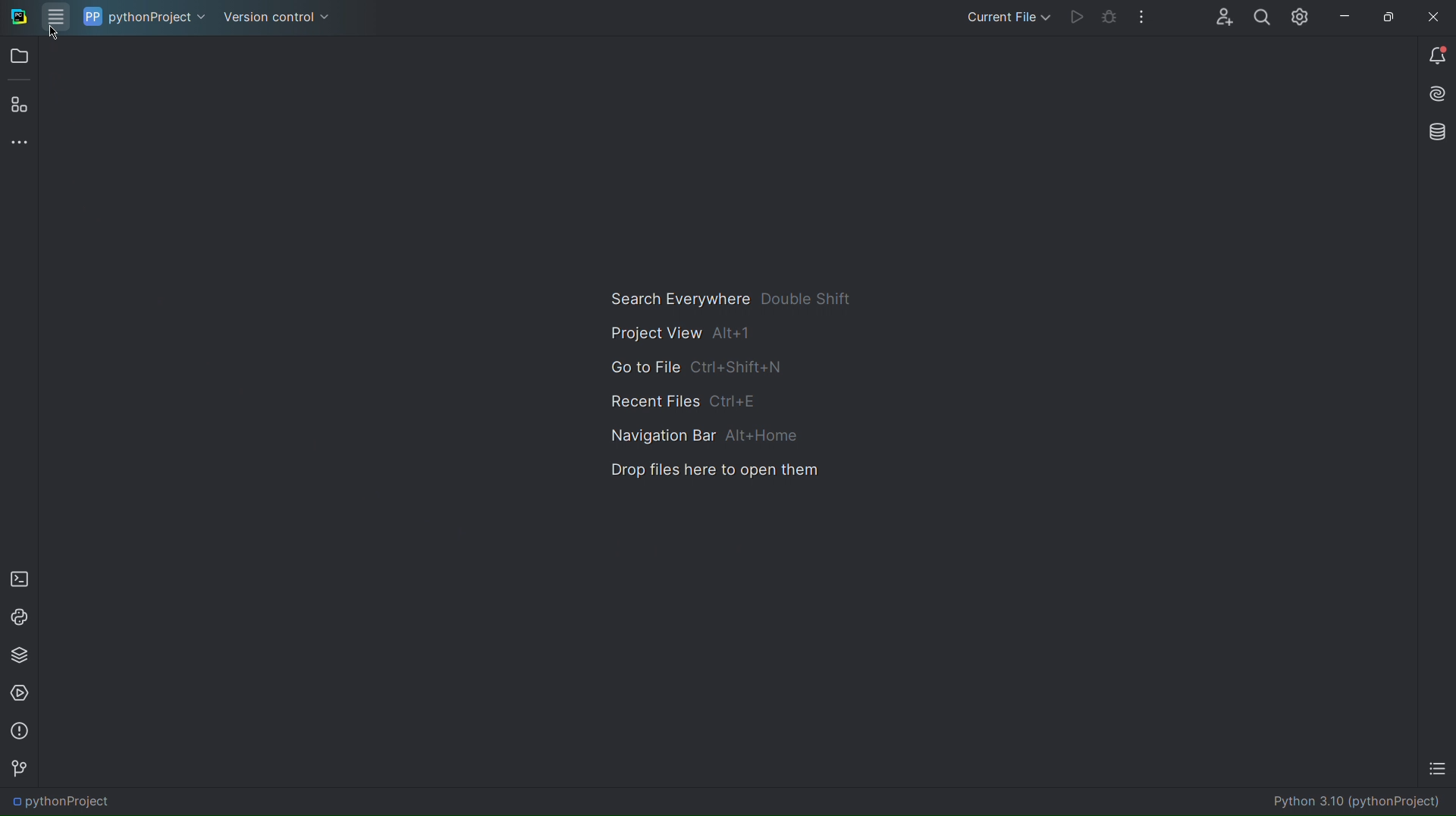 Image resolution: width=1456 pixels, height=816 pixels. What do you see at coordinates (1436, 771) in the screenshot?
I see `TODO` at bounding box center [1436, 771].